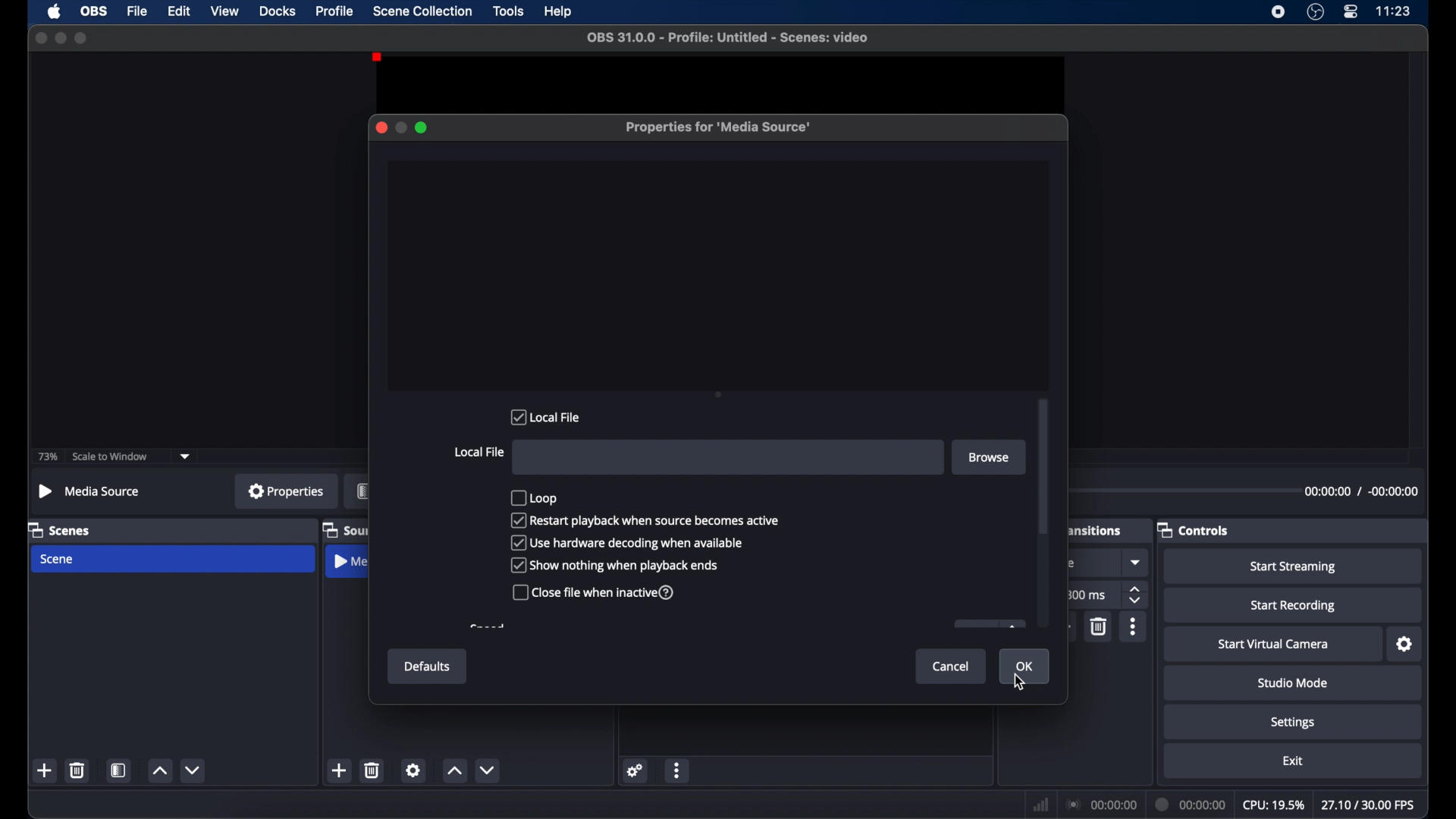  What do you see at coordinates (1293, 682) in the screenshot?
I see `studio  mode` at bounding box center [1293, 682].